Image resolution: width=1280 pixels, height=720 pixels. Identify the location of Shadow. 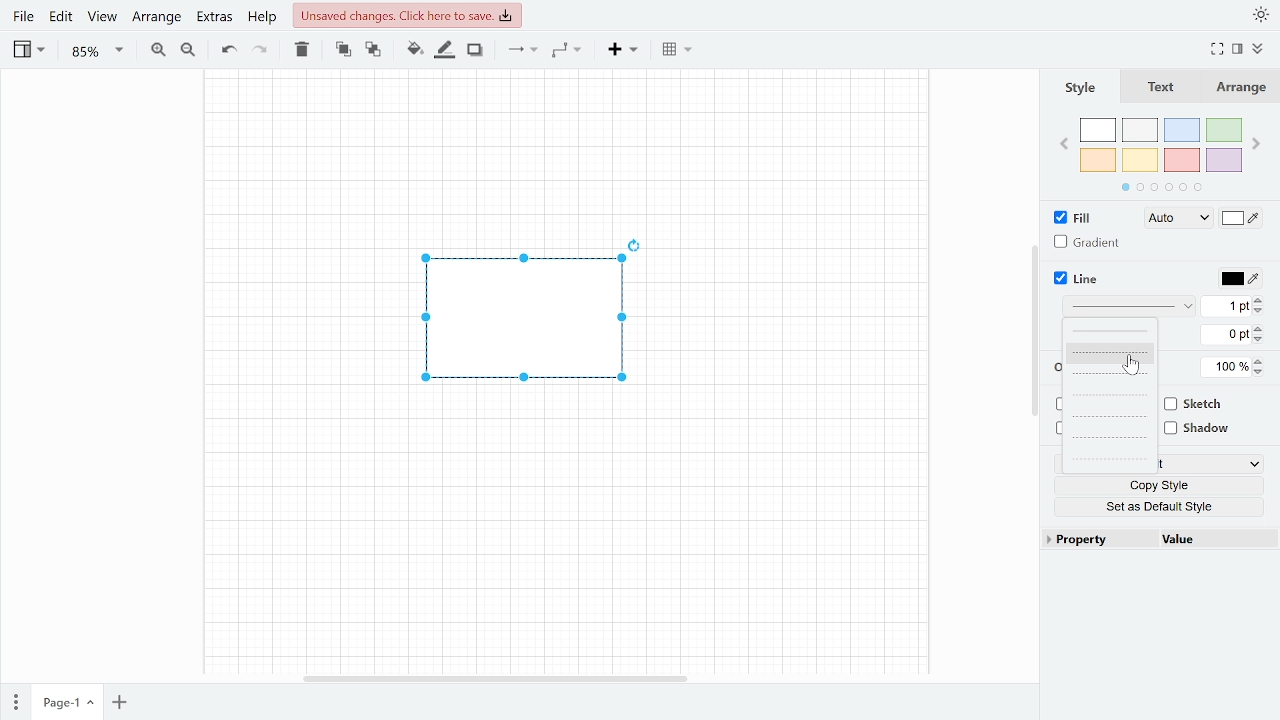
(475, 50).